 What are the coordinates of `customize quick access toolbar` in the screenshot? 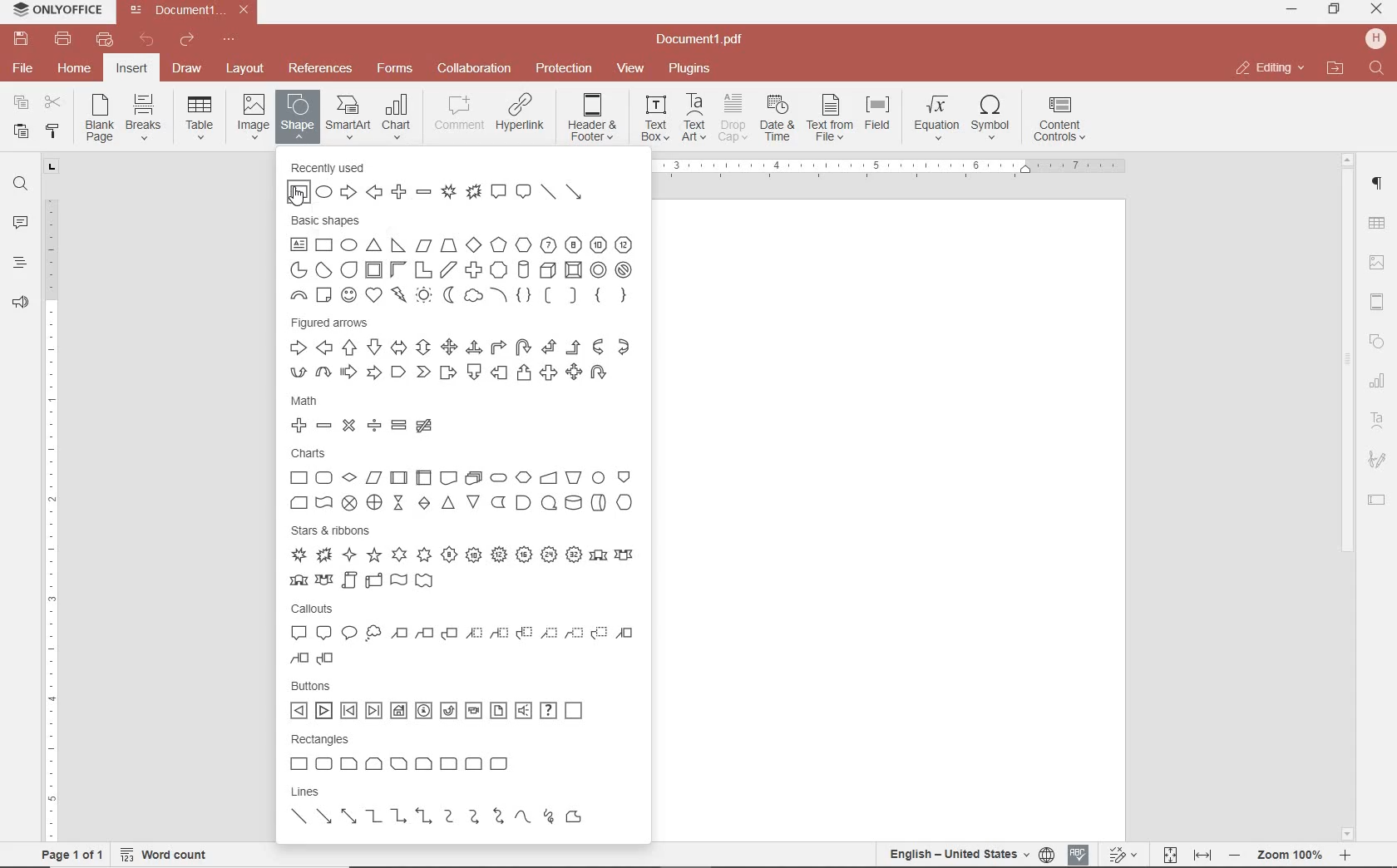 It's located at (229, 40).